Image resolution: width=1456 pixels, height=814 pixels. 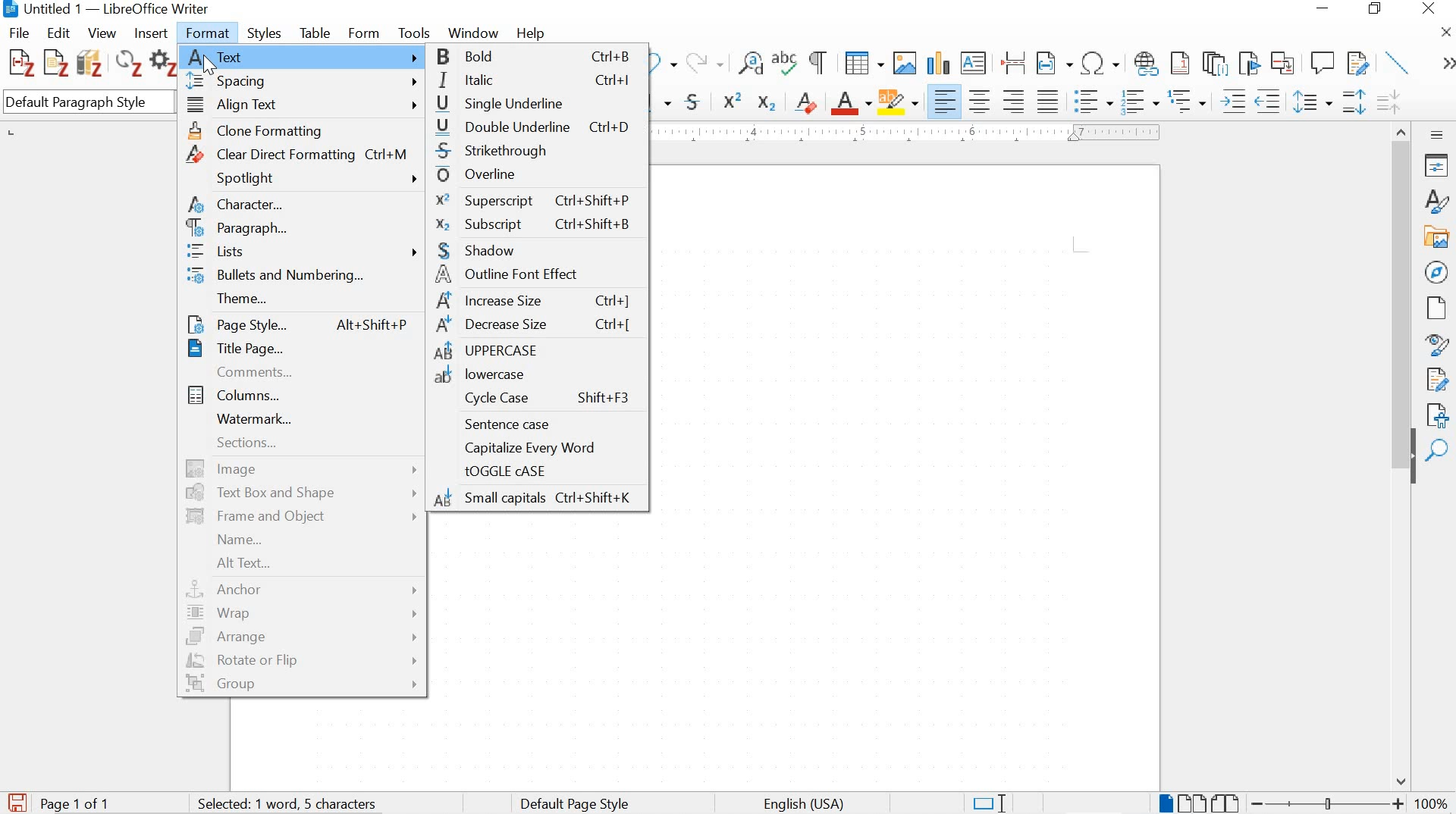 What do you see at coordinates (163, 65) in the screenshot?
I see `set document preferences` at bounding box center [163, 65].